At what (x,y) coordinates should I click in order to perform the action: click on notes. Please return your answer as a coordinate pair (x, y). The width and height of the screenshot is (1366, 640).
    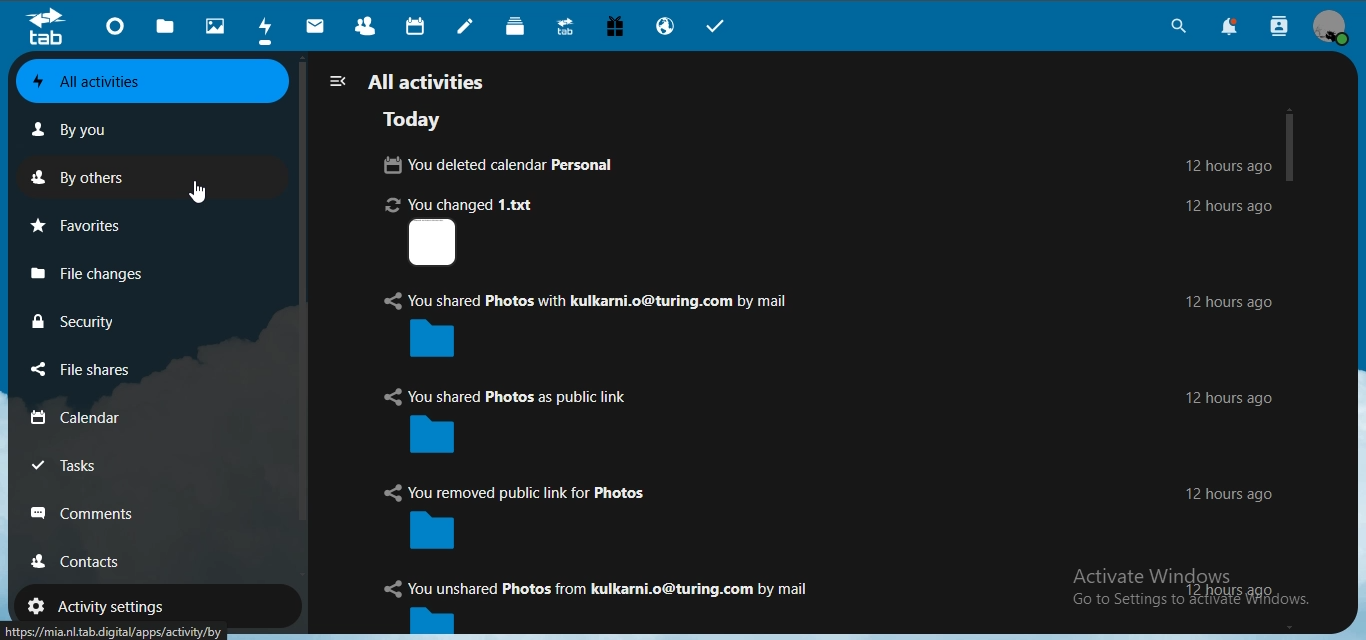
    Looking at the image, I should click on (470, 26).